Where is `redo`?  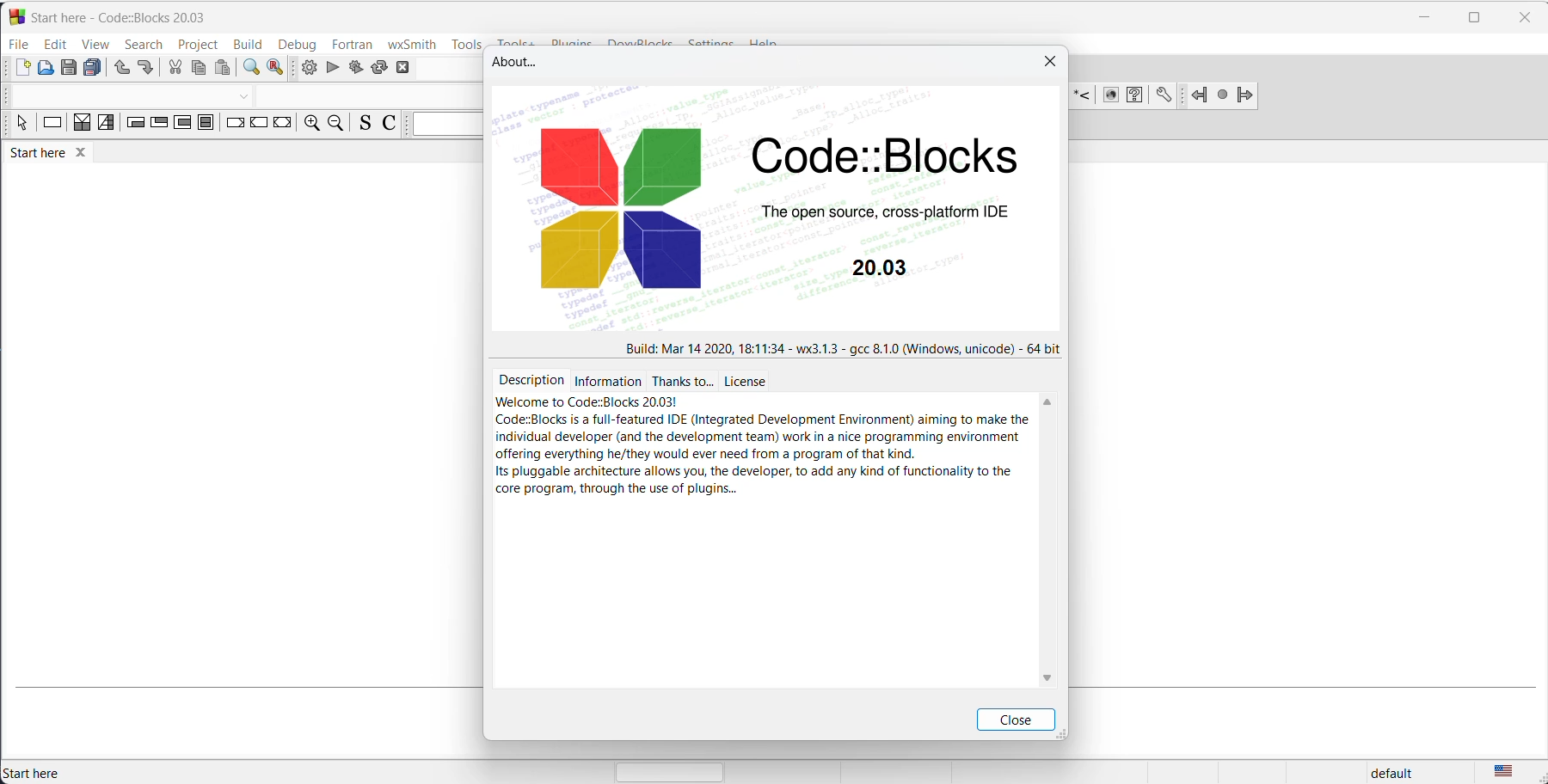
redo is located at coordinates (145, 68).